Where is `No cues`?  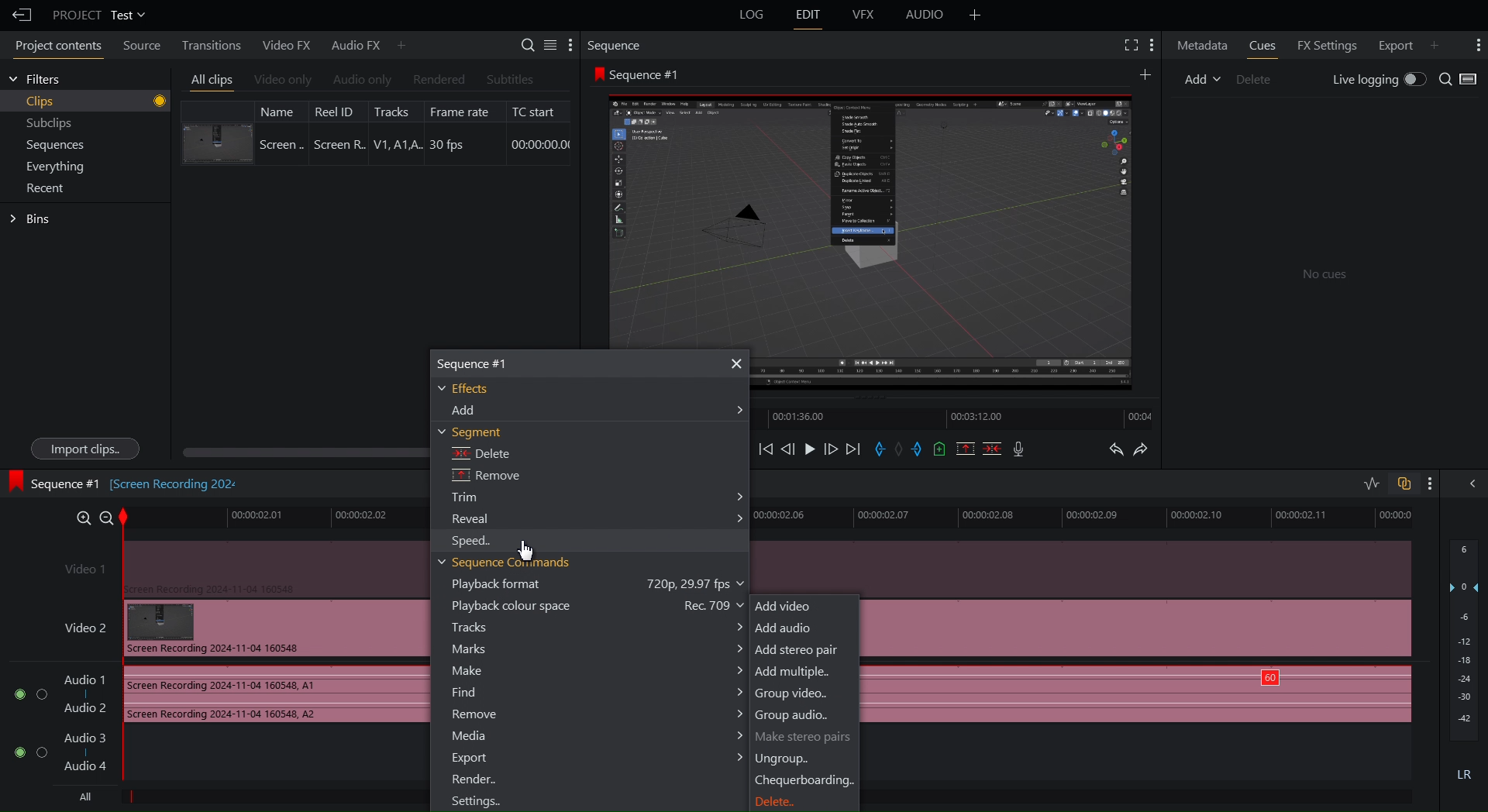 No cues is located at coordinates (1325, 276).